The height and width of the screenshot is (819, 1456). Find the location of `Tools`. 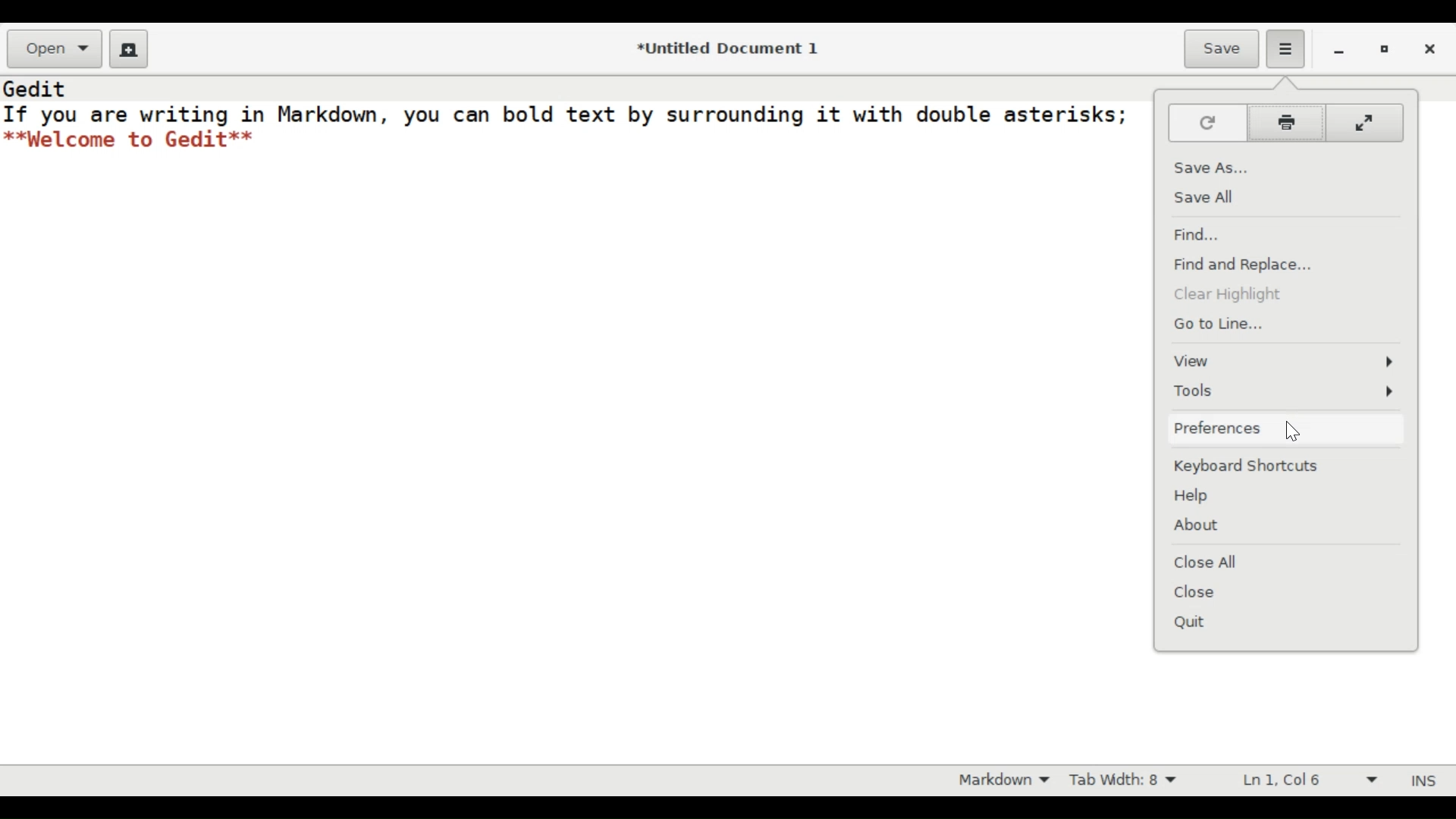

Tools is located at coordinates (1285, 391).